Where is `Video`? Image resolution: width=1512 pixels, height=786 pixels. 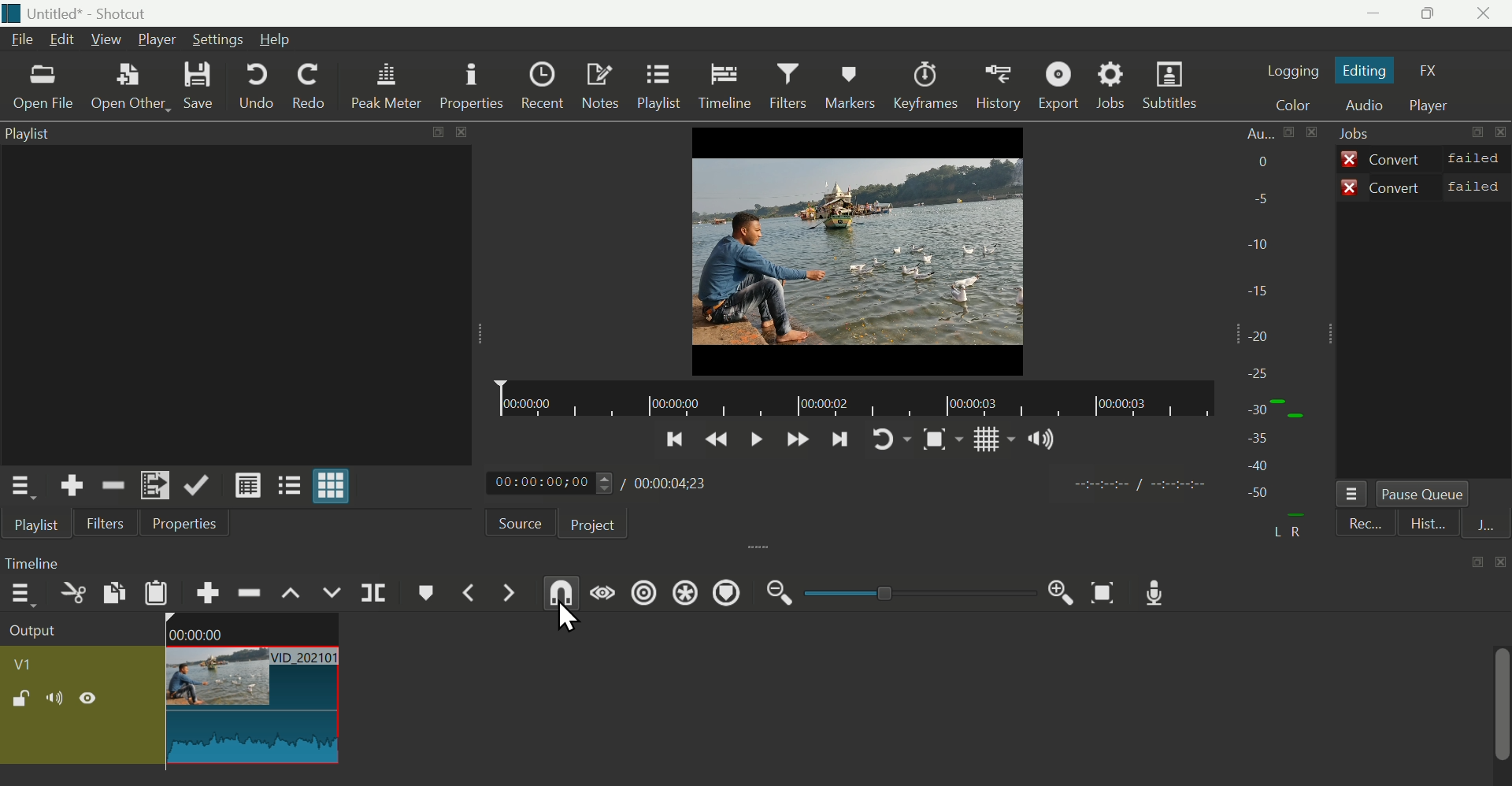
Video is located at coordinates (861, 250).